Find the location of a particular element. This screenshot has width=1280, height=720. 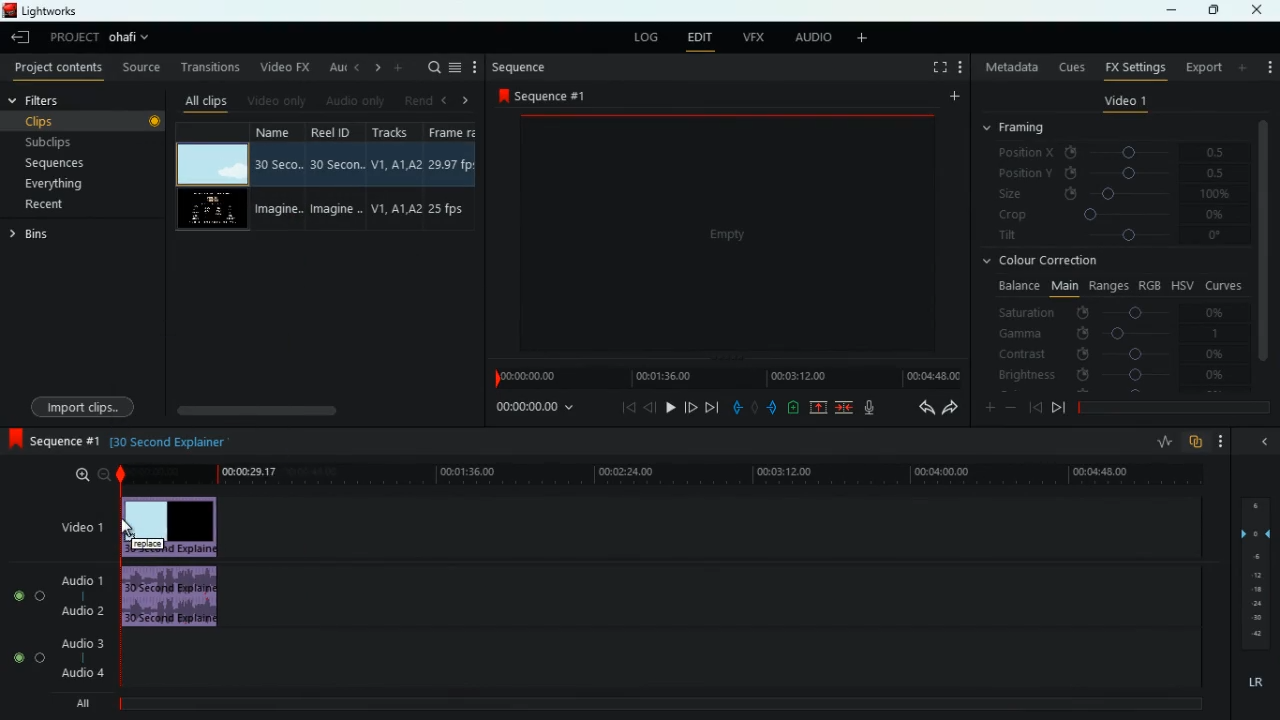

-18 (layer) is located at coordinates (1257, 590).